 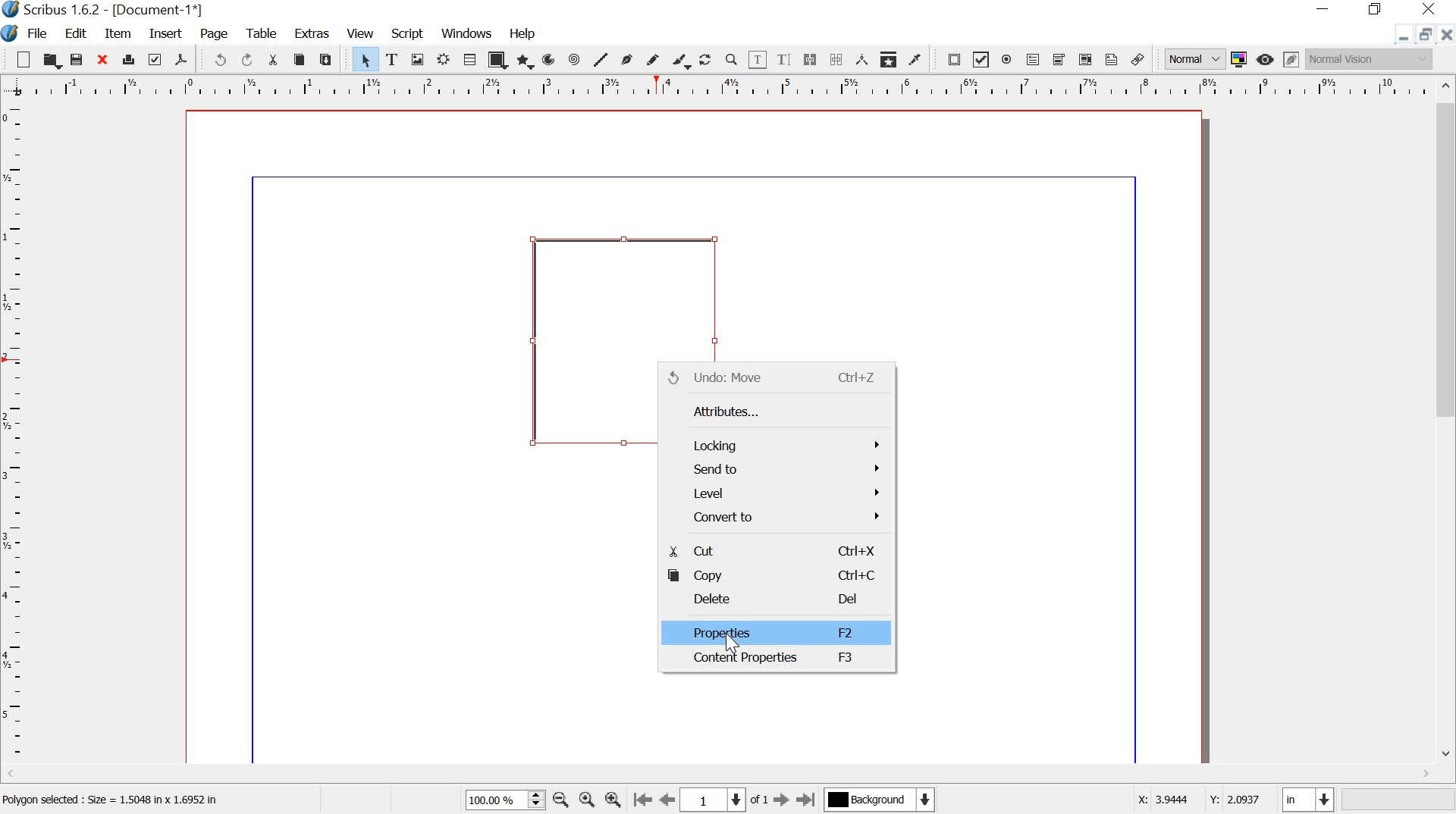 I want to click on shape, so click(x=498, y=60).